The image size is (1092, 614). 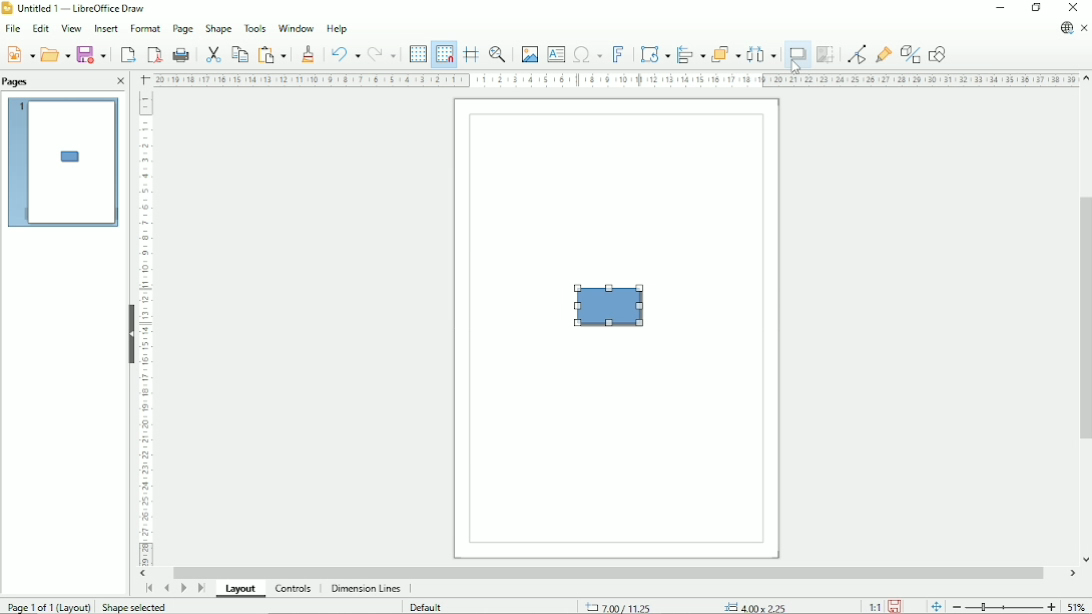 I want to click on Cut, so click(x=213, y=53).